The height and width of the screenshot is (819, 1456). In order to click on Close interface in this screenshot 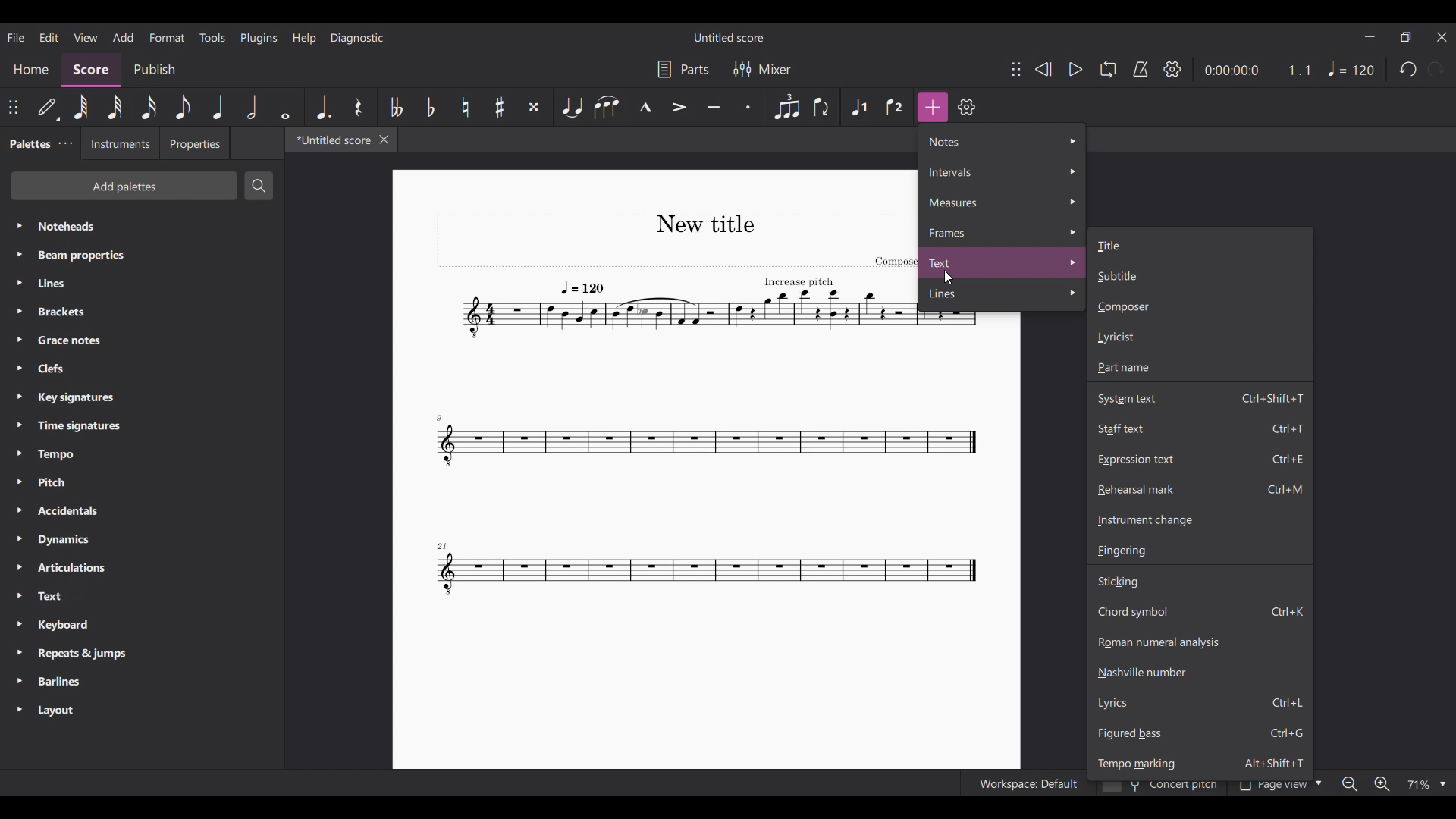, I will do `click(1442, 38)`.